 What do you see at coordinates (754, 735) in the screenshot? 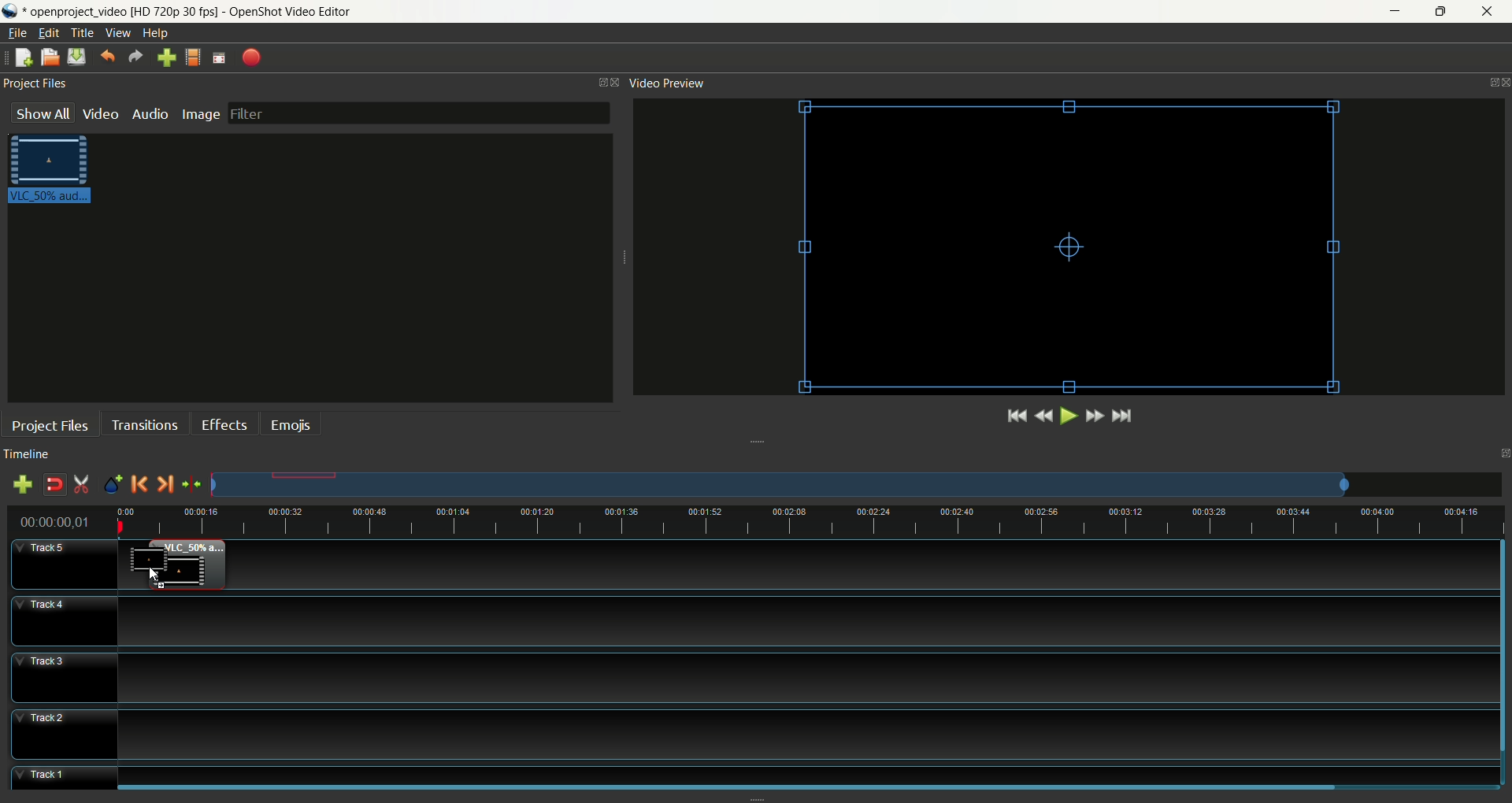
I see `track2` at bounding box center [754, 735].